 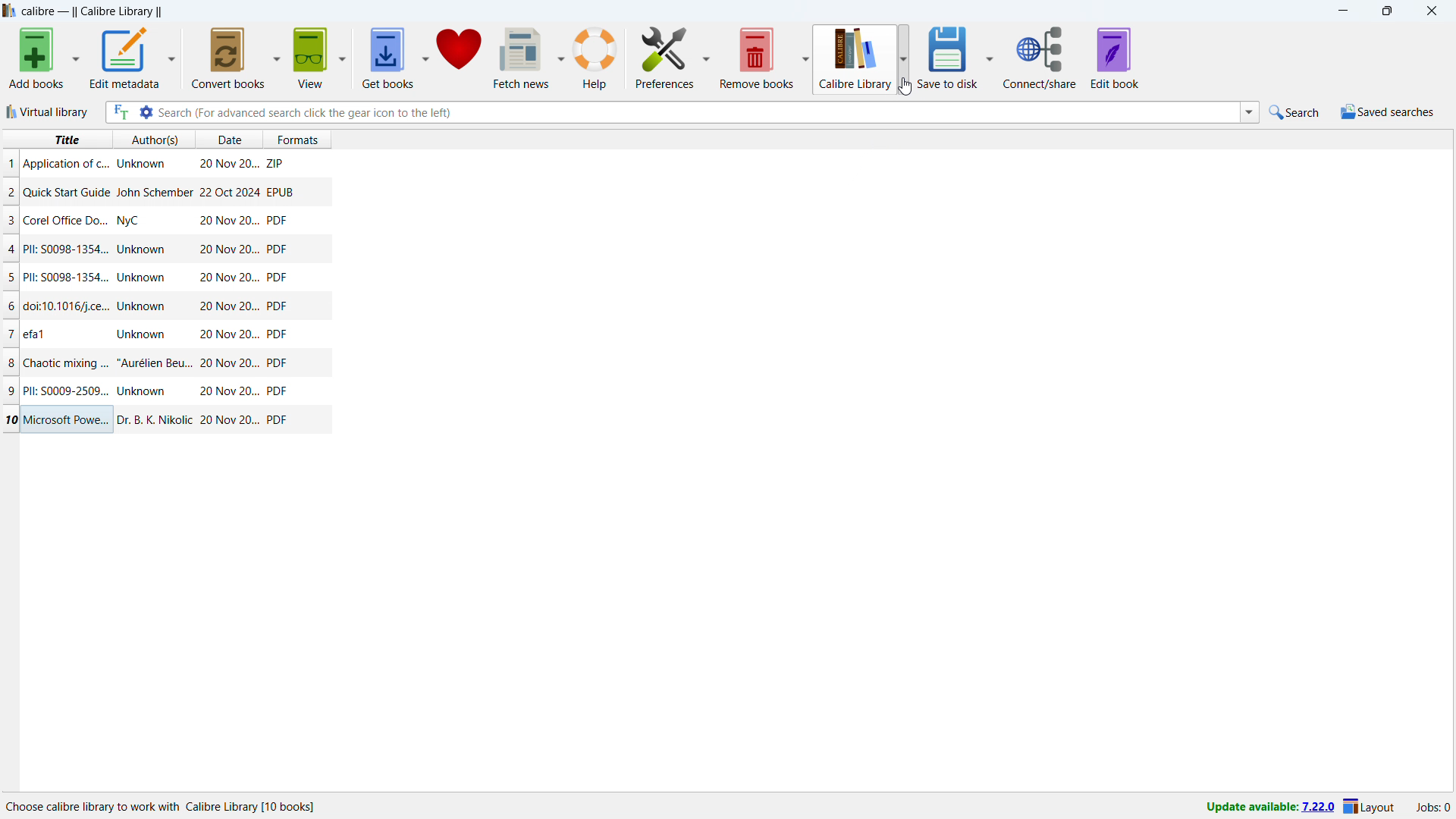 I want to click on edit metadata options, so click(x=171, y=58).